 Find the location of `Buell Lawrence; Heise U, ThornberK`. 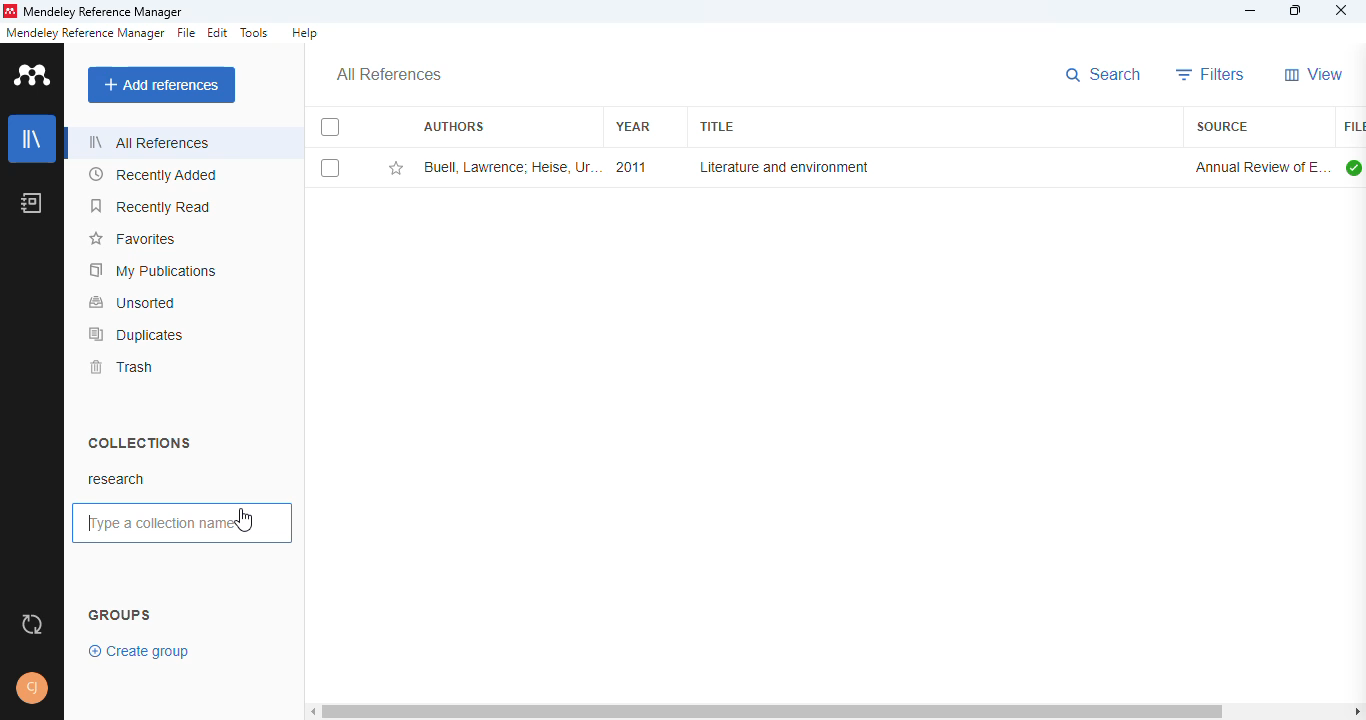

Buell Lawrence; Heise U, ThornberK is located at coordinates (511, 167).